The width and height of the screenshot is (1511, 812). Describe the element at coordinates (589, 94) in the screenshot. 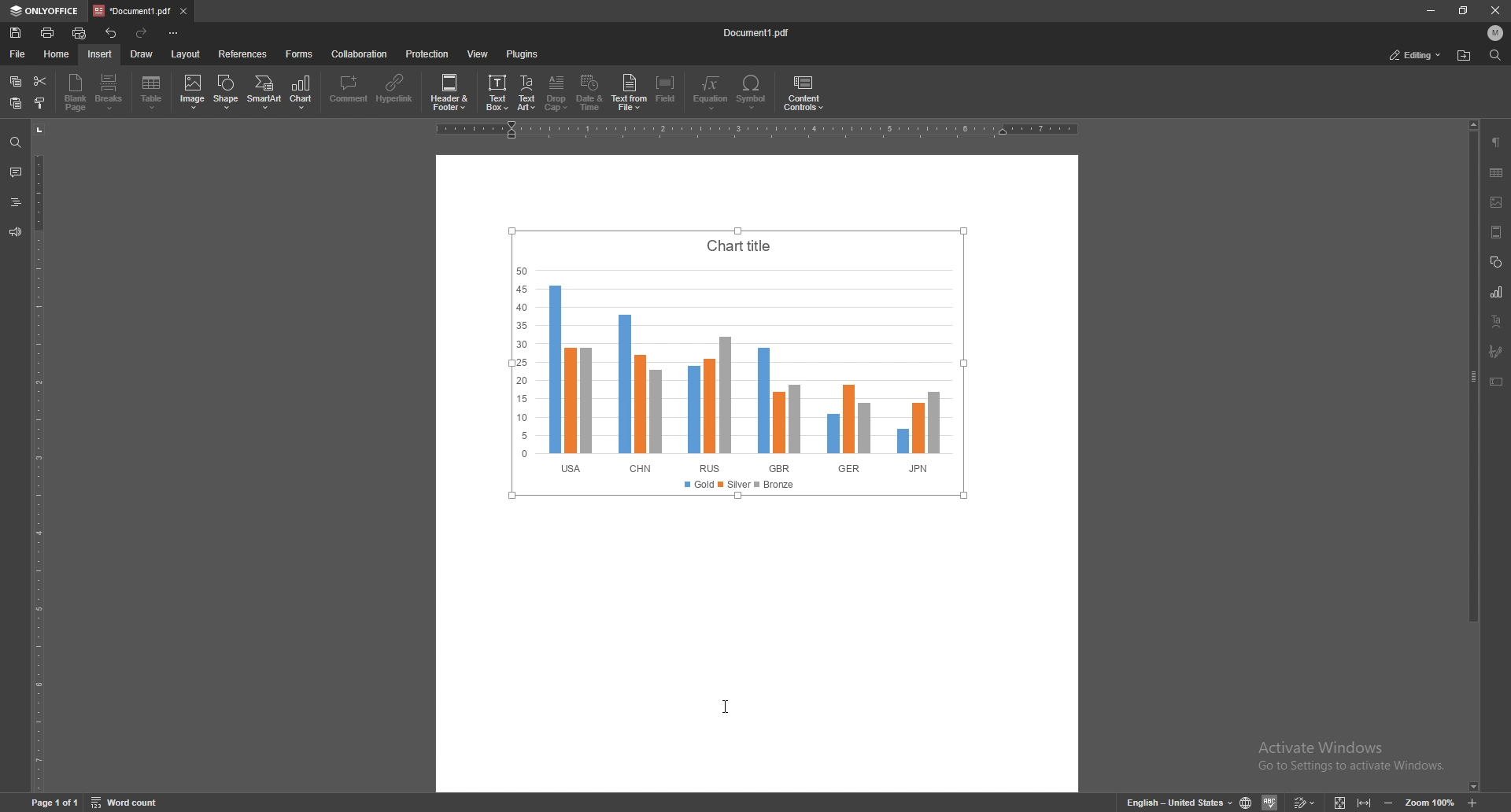

I see `date and time` at that location.